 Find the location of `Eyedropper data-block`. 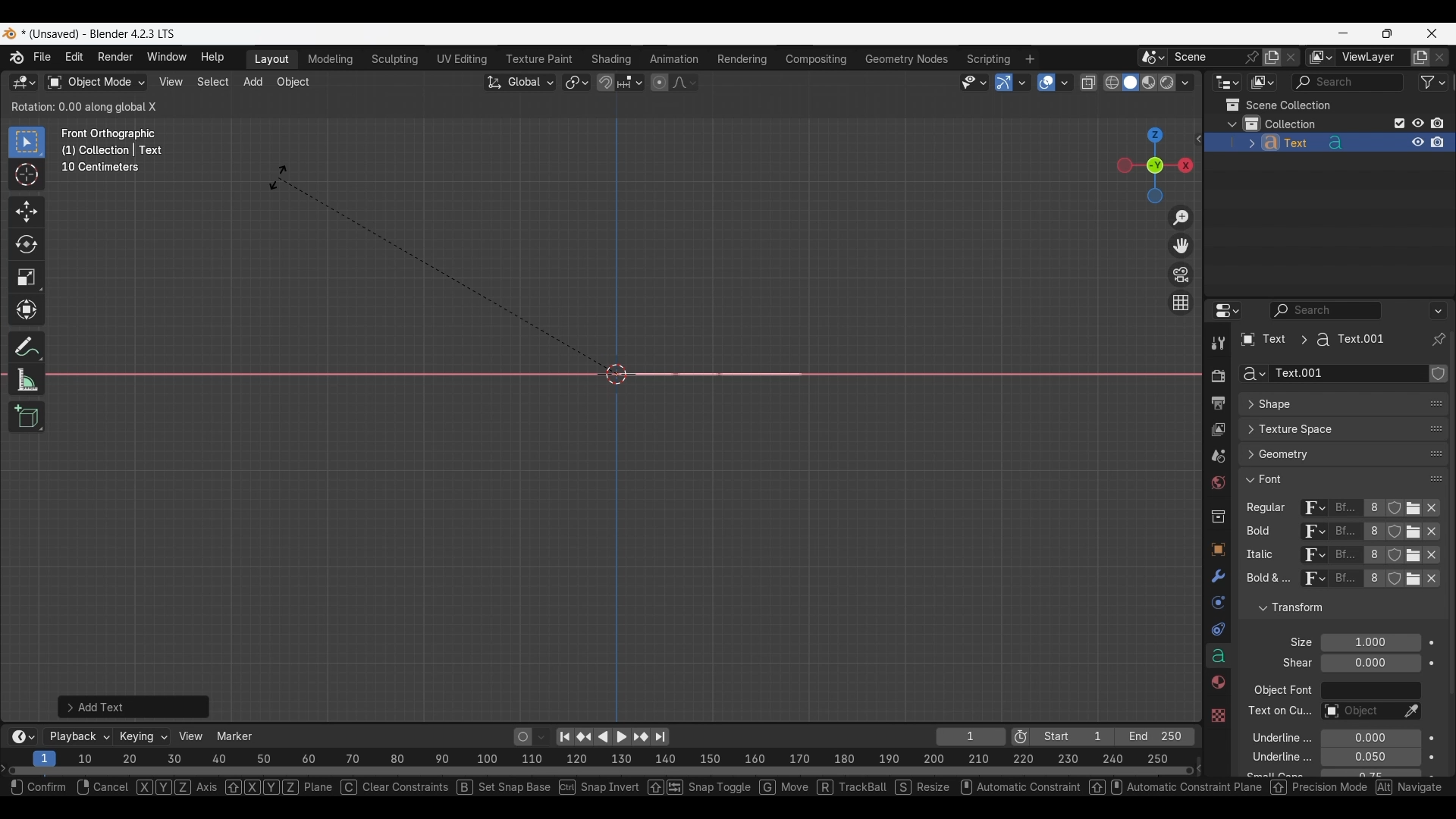

Eyedropper data-block is located at coordinates (1429, 399).